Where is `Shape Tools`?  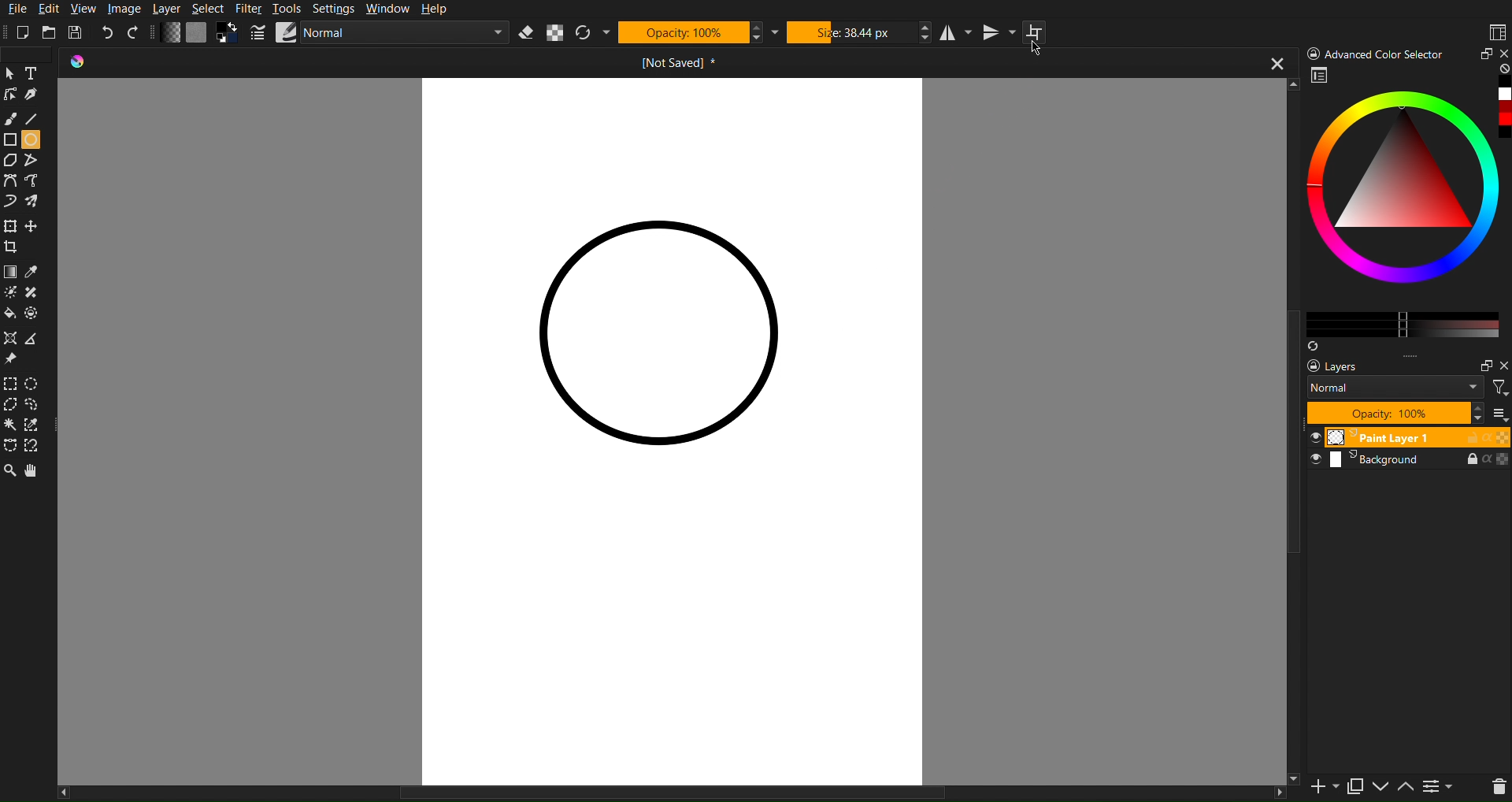 Shape Tools is located at coordinates (9, 142).